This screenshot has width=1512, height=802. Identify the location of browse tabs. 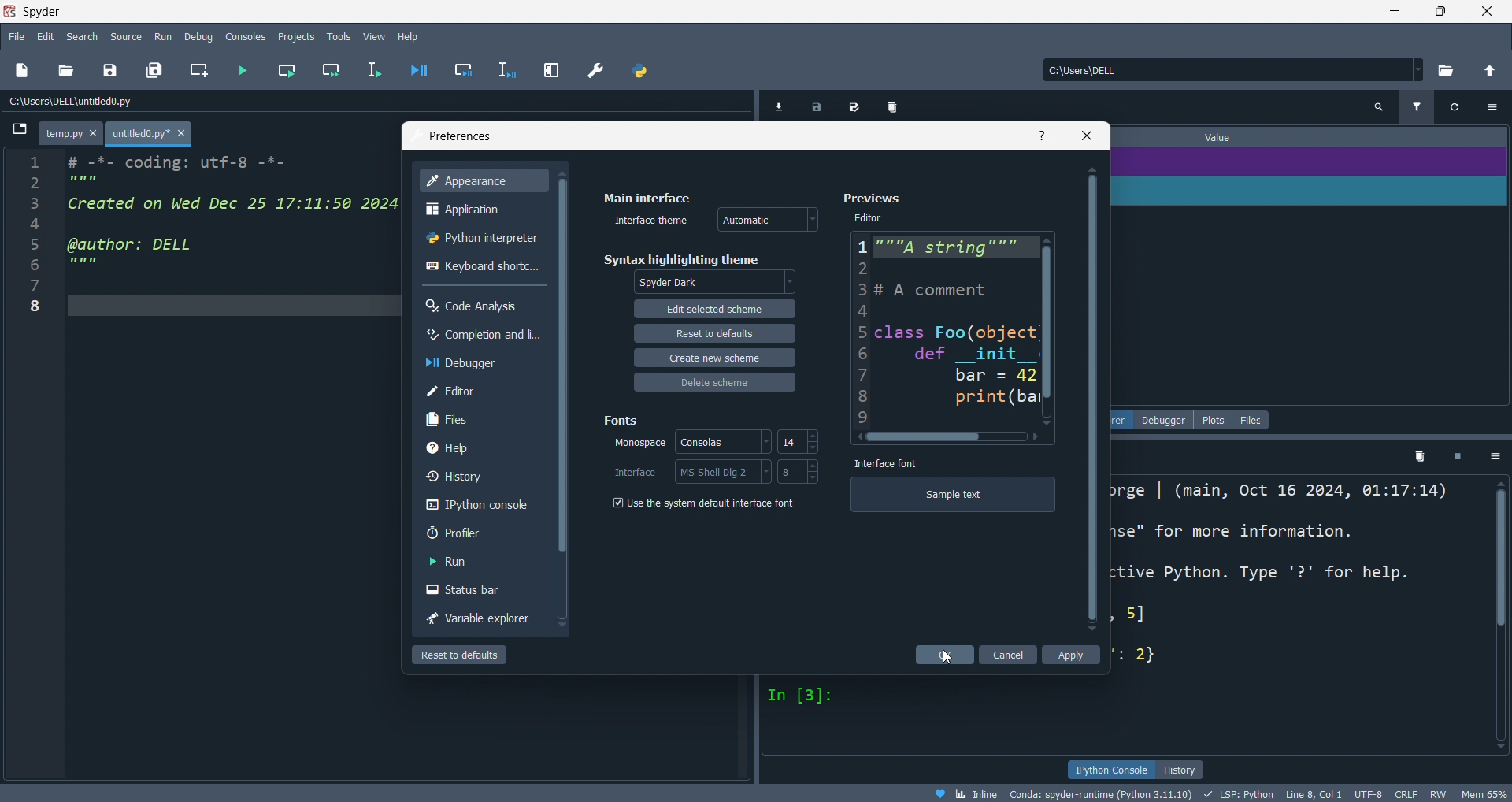
(16, 134).